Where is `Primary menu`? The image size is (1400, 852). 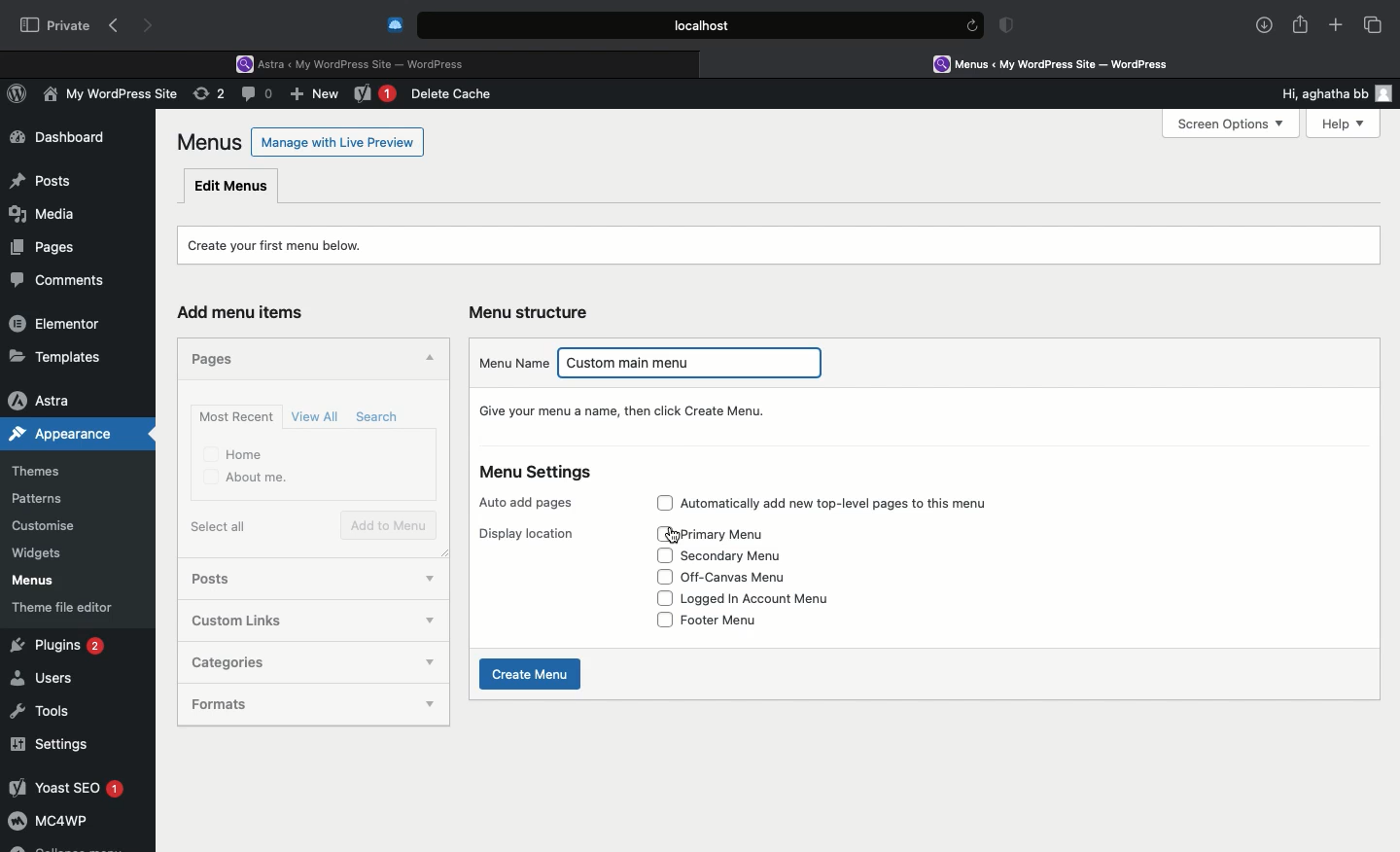 Primary menu is located at coordinates (747, 534).